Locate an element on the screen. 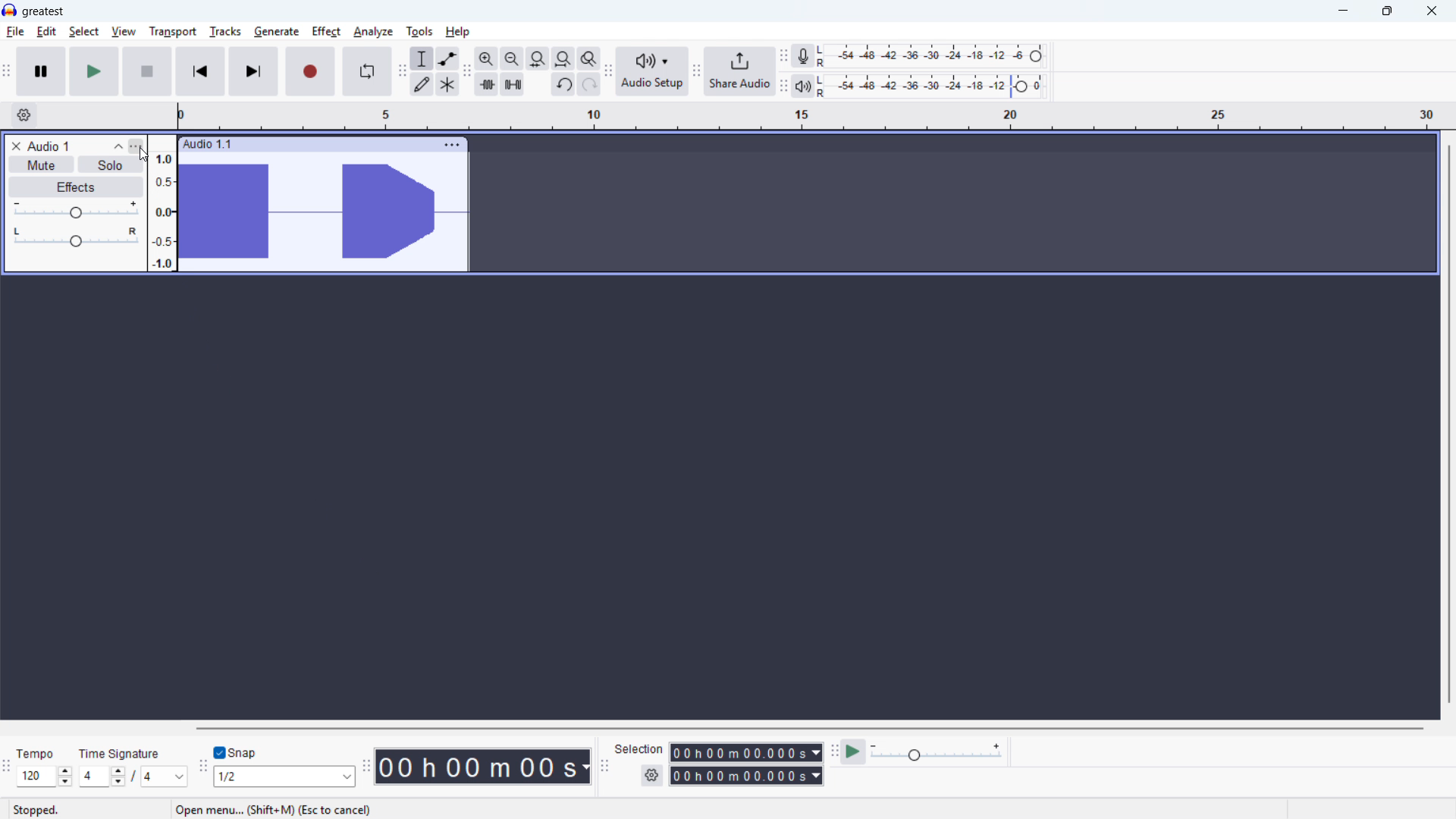  Skip to start  is located at coordinates (200, 71).